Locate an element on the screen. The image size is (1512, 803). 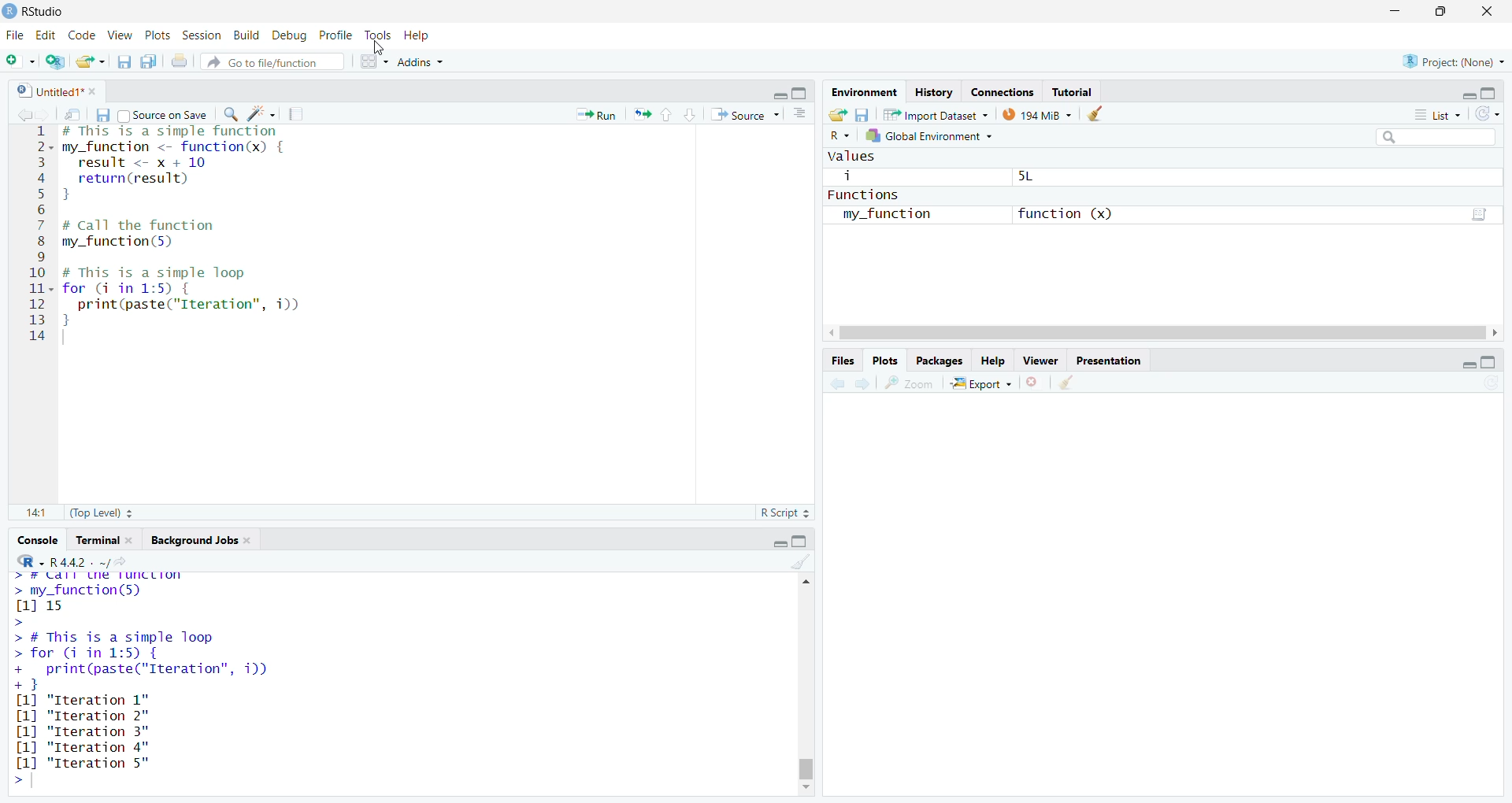
[1] "Iteration 3" is located at coordinates (81, 732).